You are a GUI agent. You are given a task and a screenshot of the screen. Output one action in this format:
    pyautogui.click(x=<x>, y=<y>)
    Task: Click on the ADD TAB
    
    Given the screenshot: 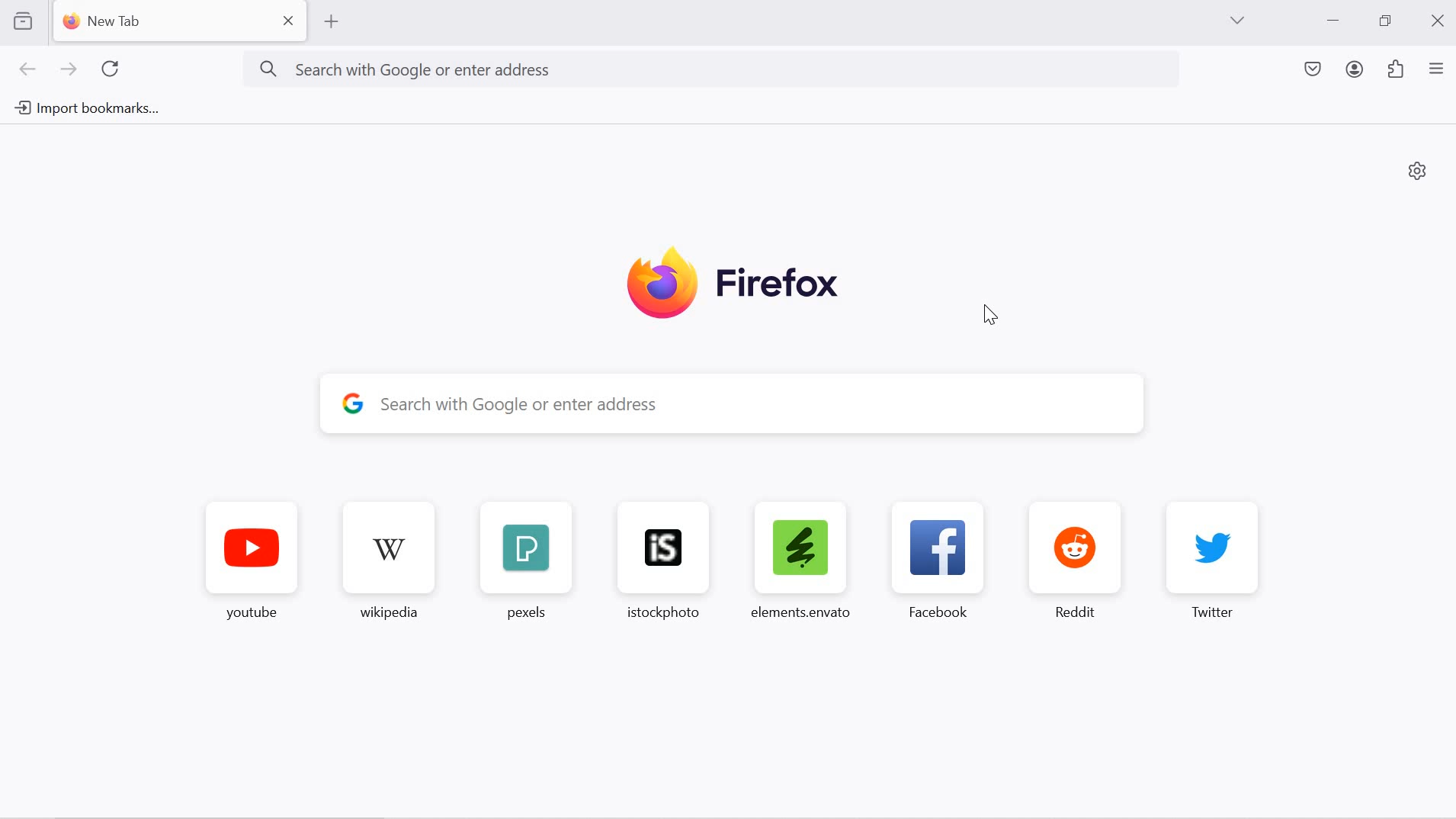 What is the action you would take?
    pyautogui.click(x=333, y=22)
    